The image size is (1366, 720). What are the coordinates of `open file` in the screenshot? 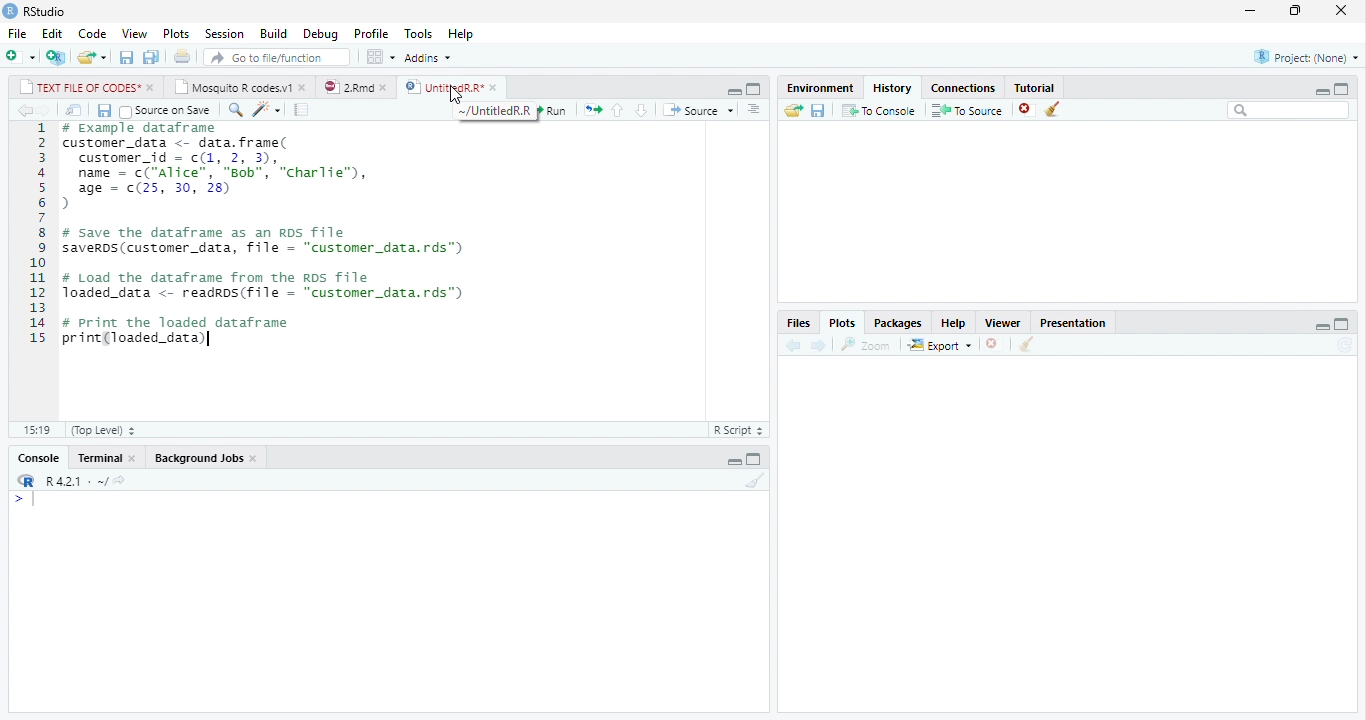 It's located at (92, 57).